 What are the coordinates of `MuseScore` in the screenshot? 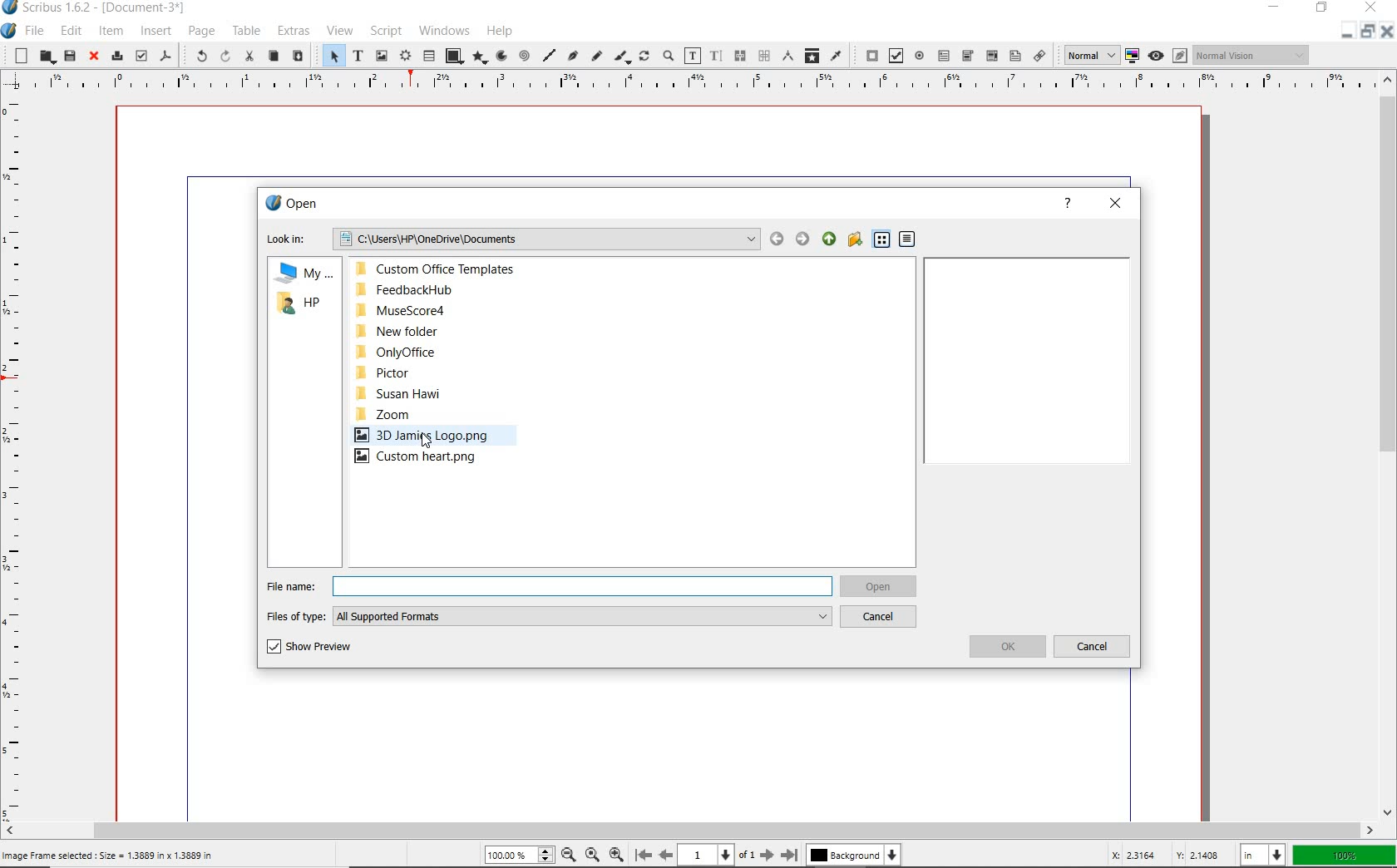 It's located at (452, 310).